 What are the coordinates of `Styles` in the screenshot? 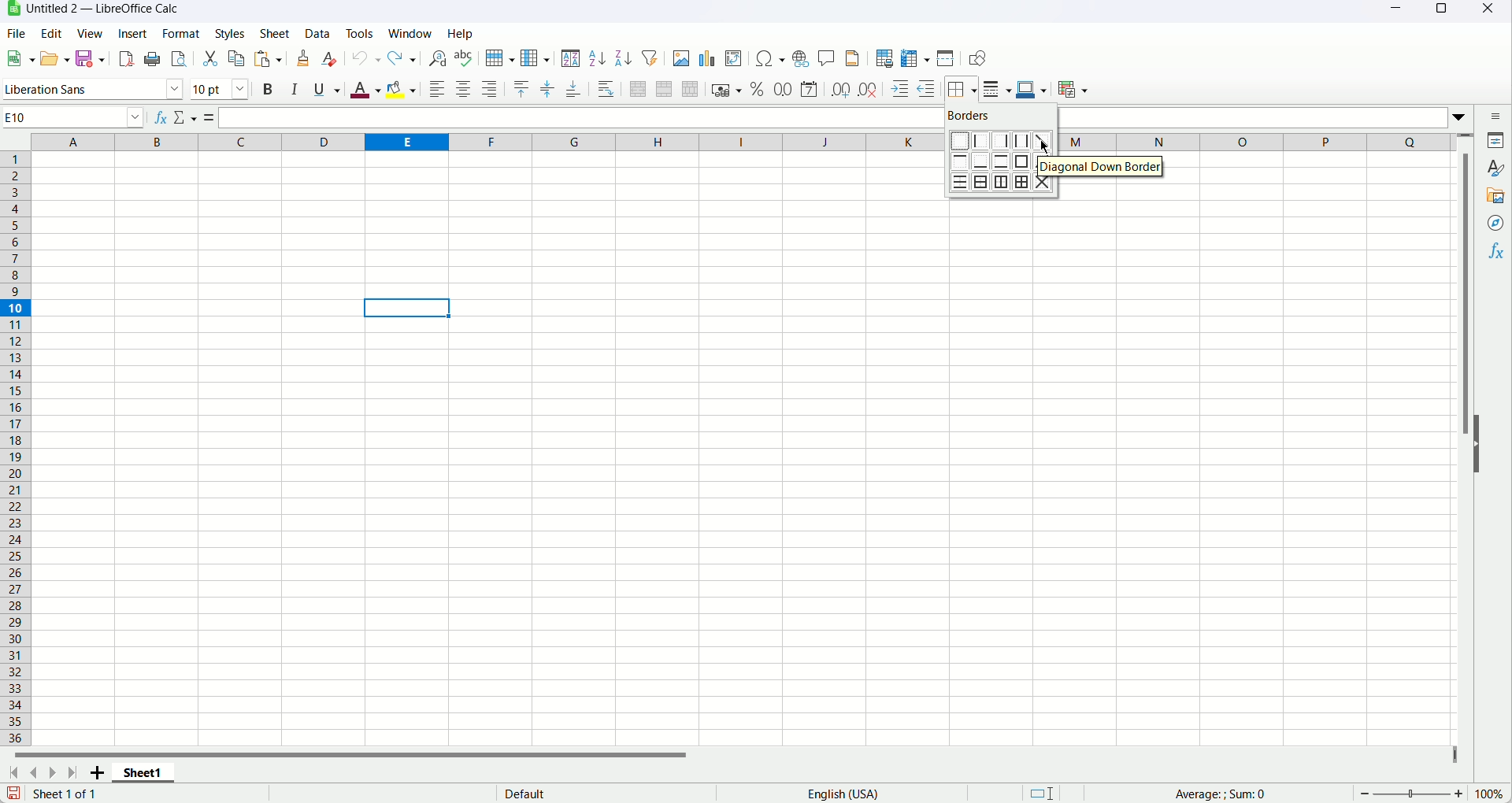 It's located at (1497, 168).